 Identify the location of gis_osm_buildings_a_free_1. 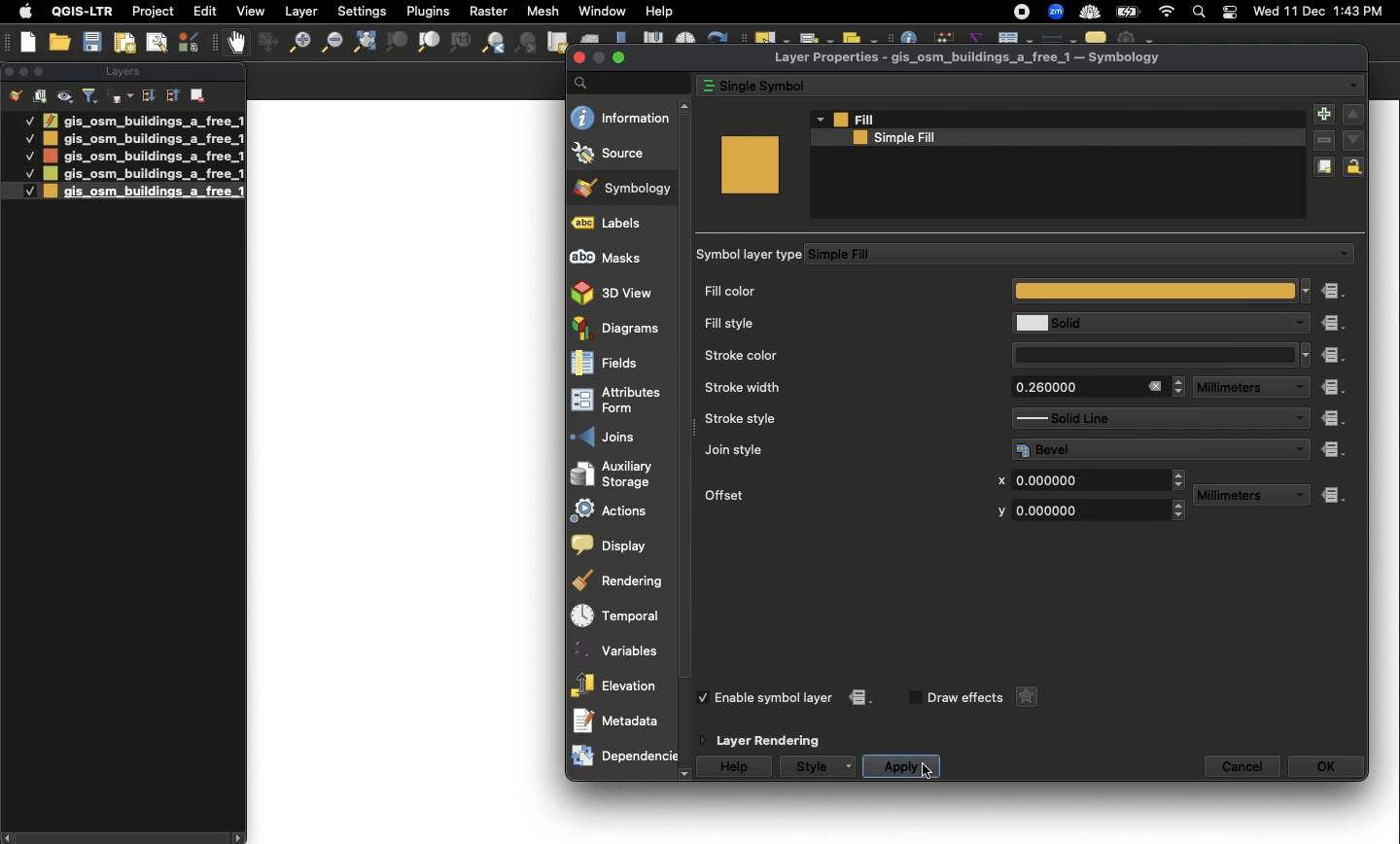
(142, 174).